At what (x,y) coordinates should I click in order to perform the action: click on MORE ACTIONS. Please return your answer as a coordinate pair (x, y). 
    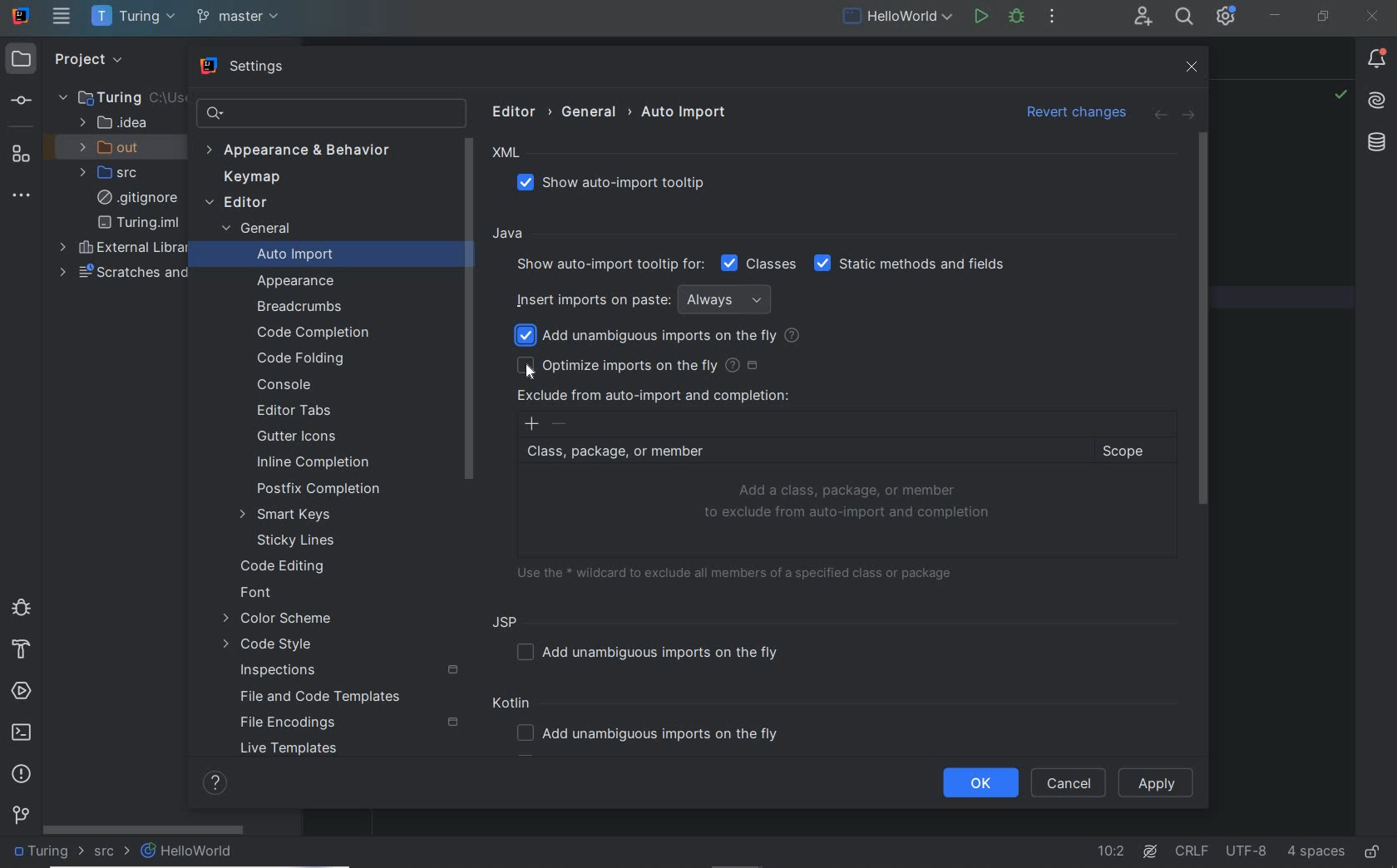
    Looking at the image, I should click on (1052, 15).